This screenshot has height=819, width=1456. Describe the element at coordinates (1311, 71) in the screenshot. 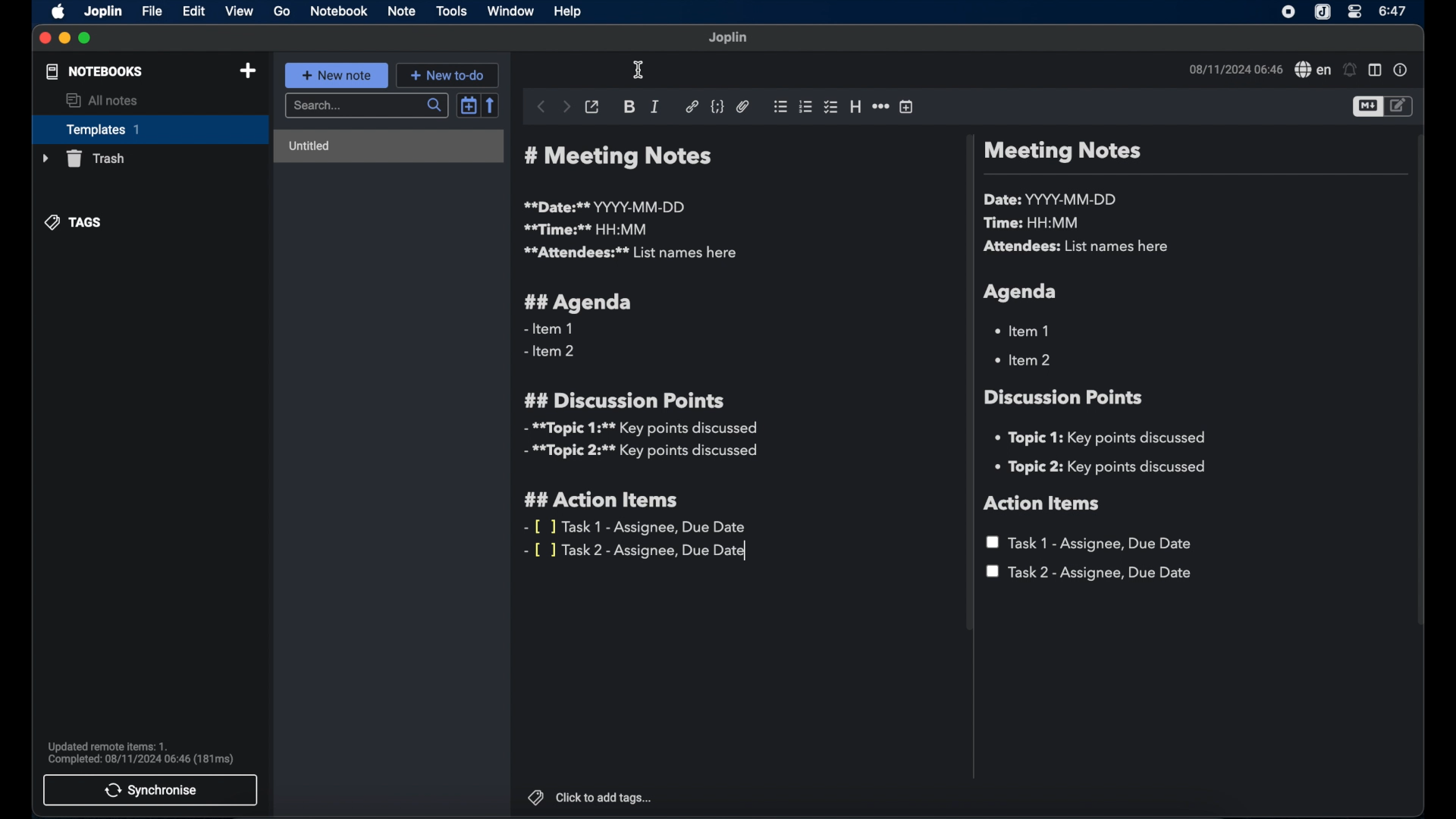

I see `spell checker` at that location.